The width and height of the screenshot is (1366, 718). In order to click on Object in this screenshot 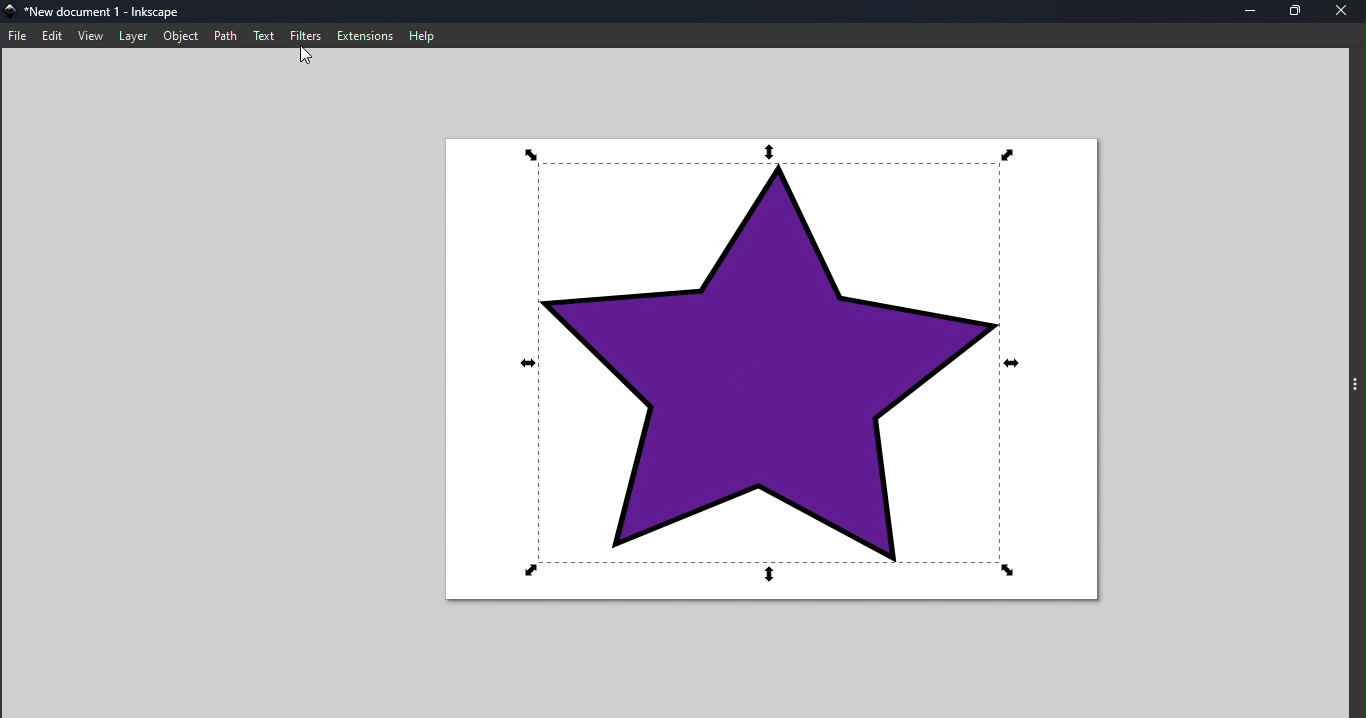, I will do `click(181, 37)`.